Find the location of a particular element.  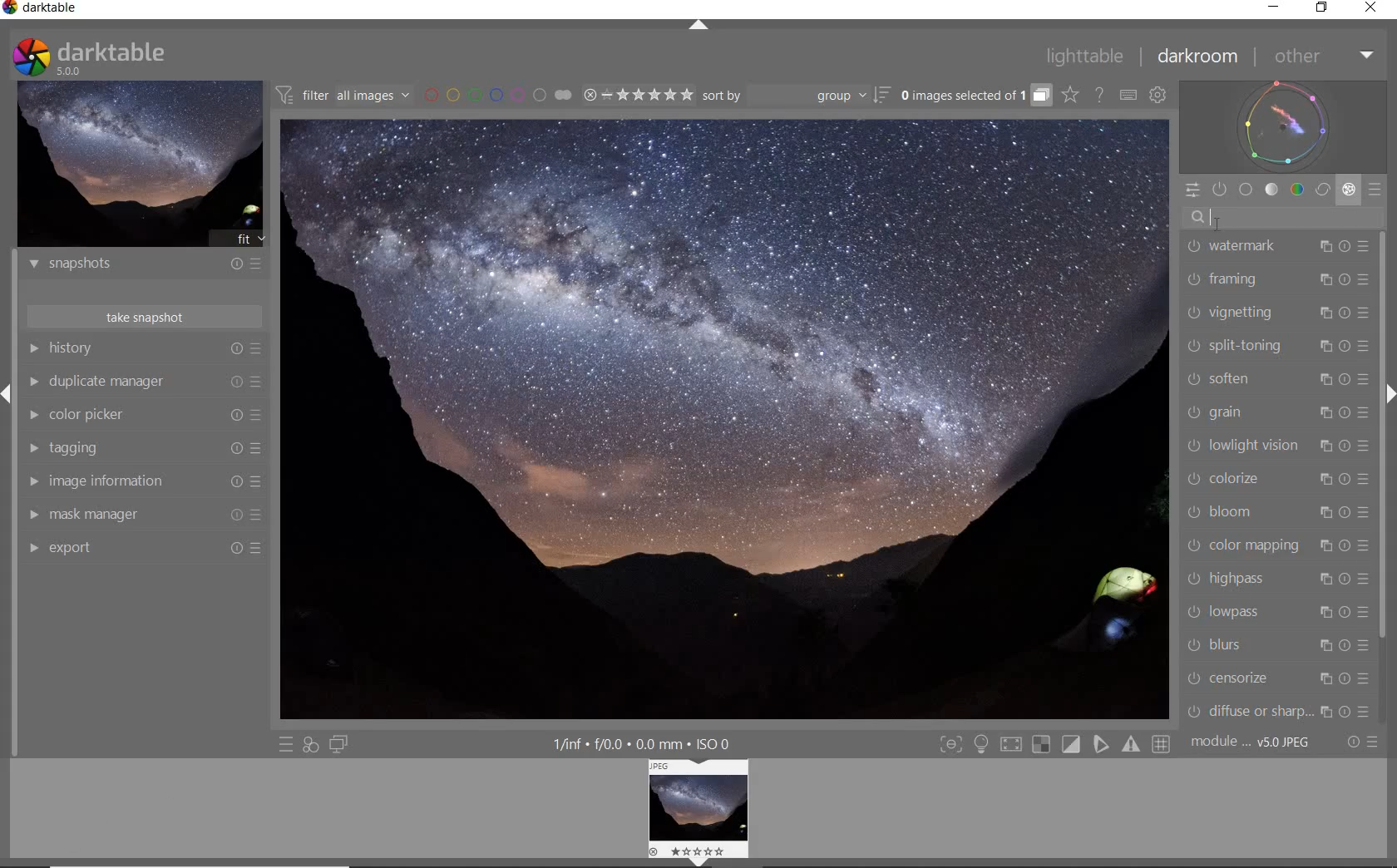

FRAMING is located at coordinates (1228, 279).